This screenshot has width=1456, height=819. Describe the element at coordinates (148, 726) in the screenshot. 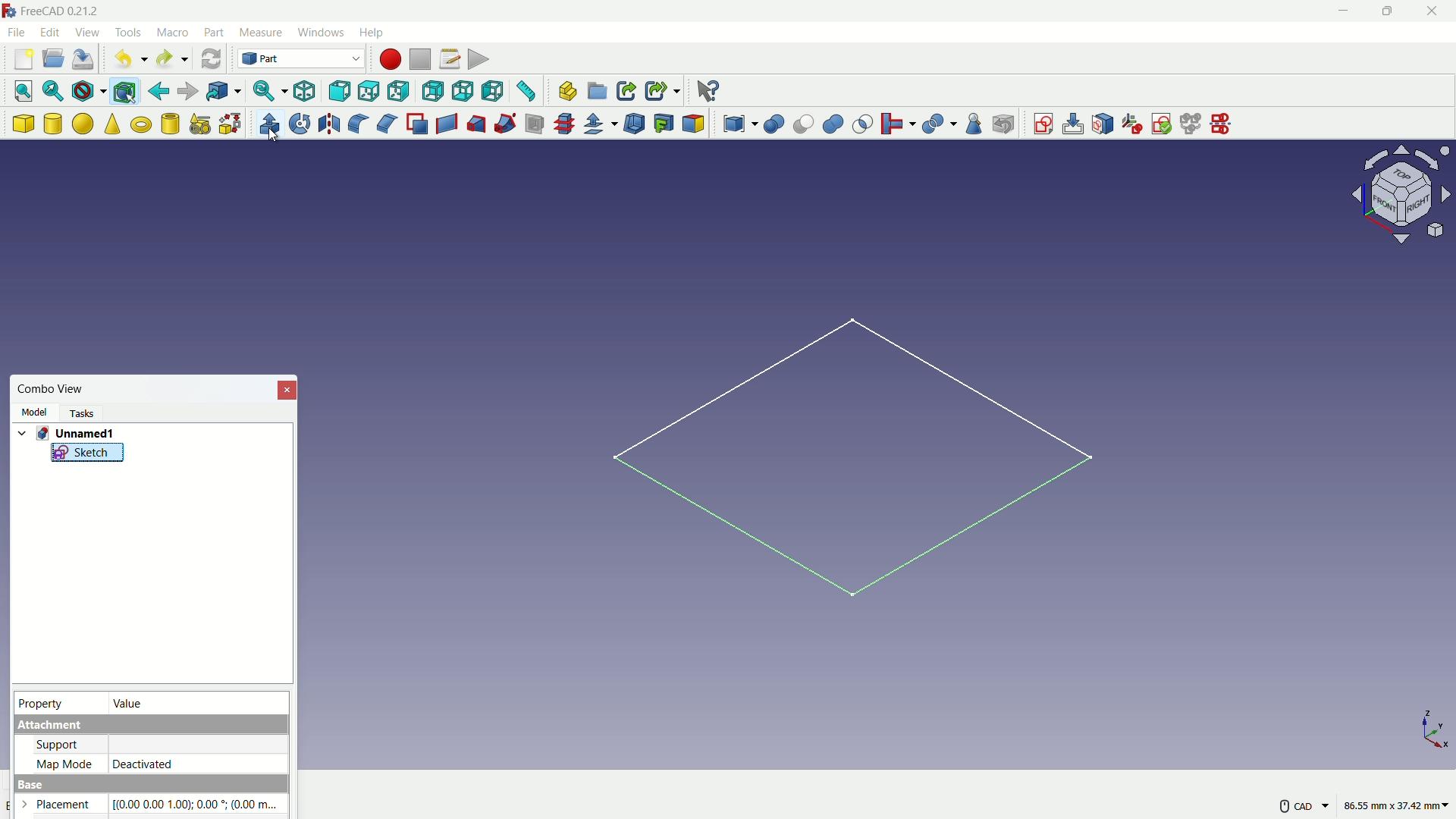

I see `Attachment` at that location.